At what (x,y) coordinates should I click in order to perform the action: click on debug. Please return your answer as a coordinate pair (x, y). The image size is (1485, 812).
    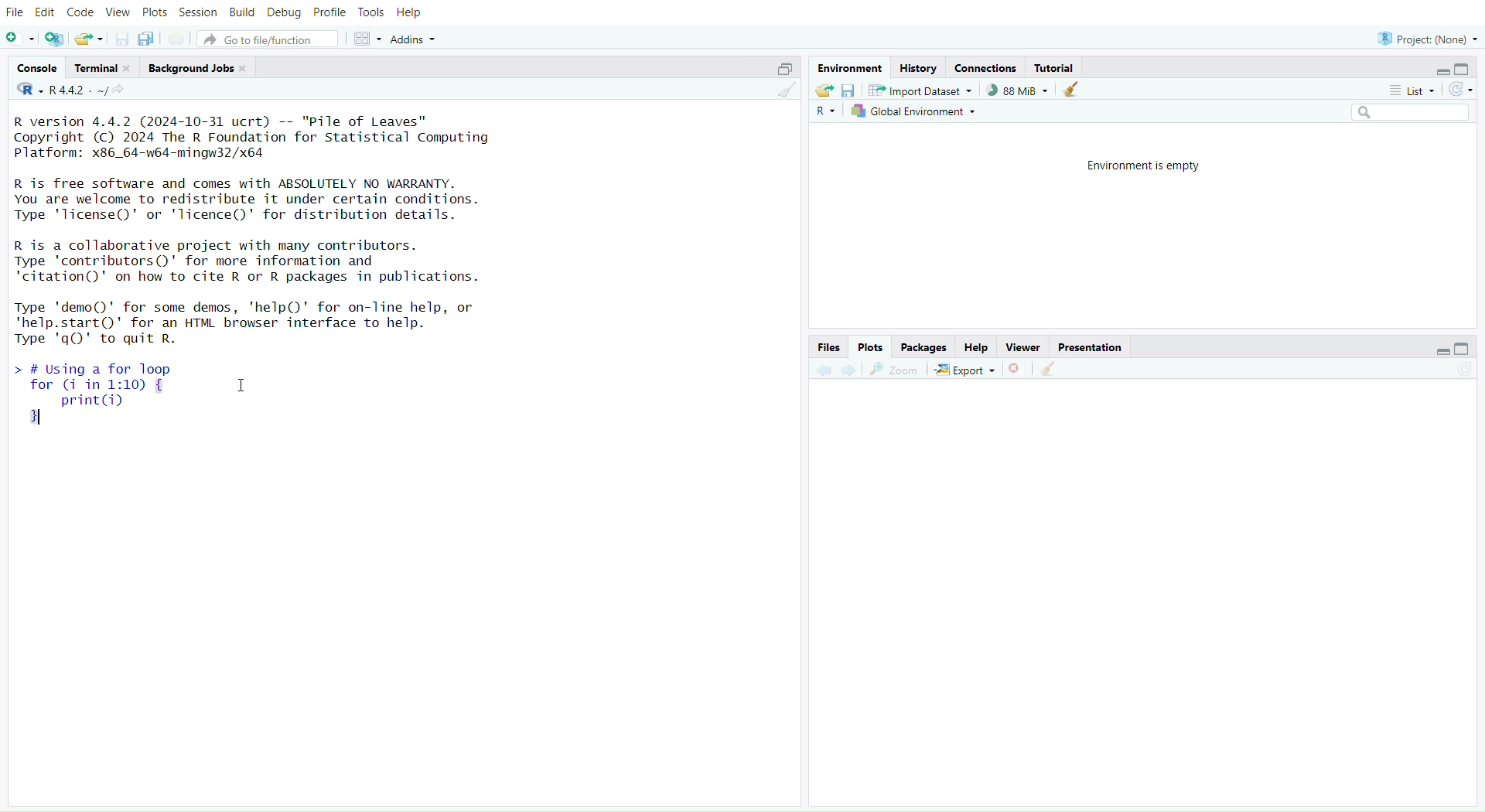
    Looking at the image, I should click on (284, 12).